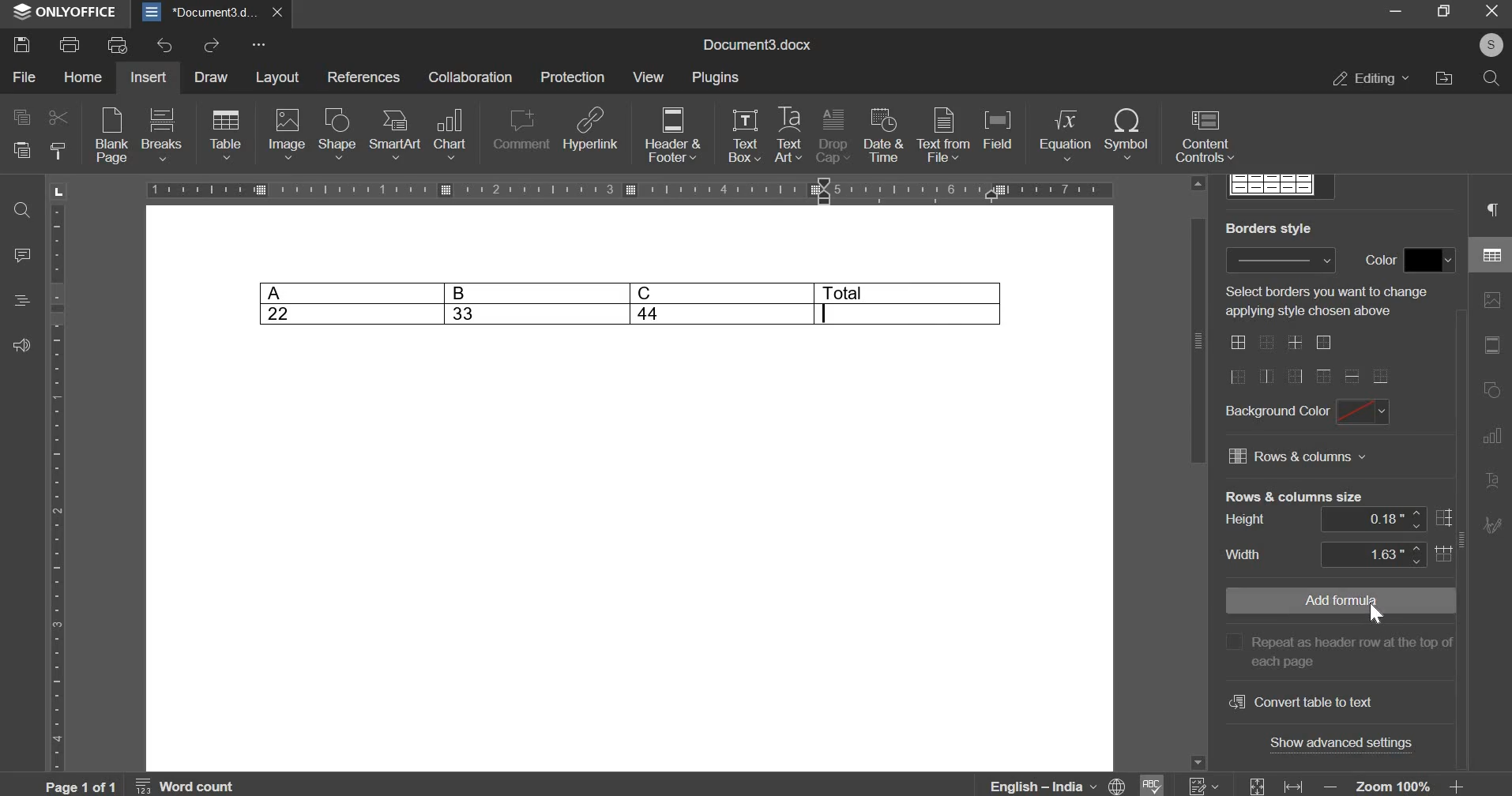  What do you see at coordinates (1491, 45) in the screenshot?
I see `account holder` at bounding box center [1491, 45].